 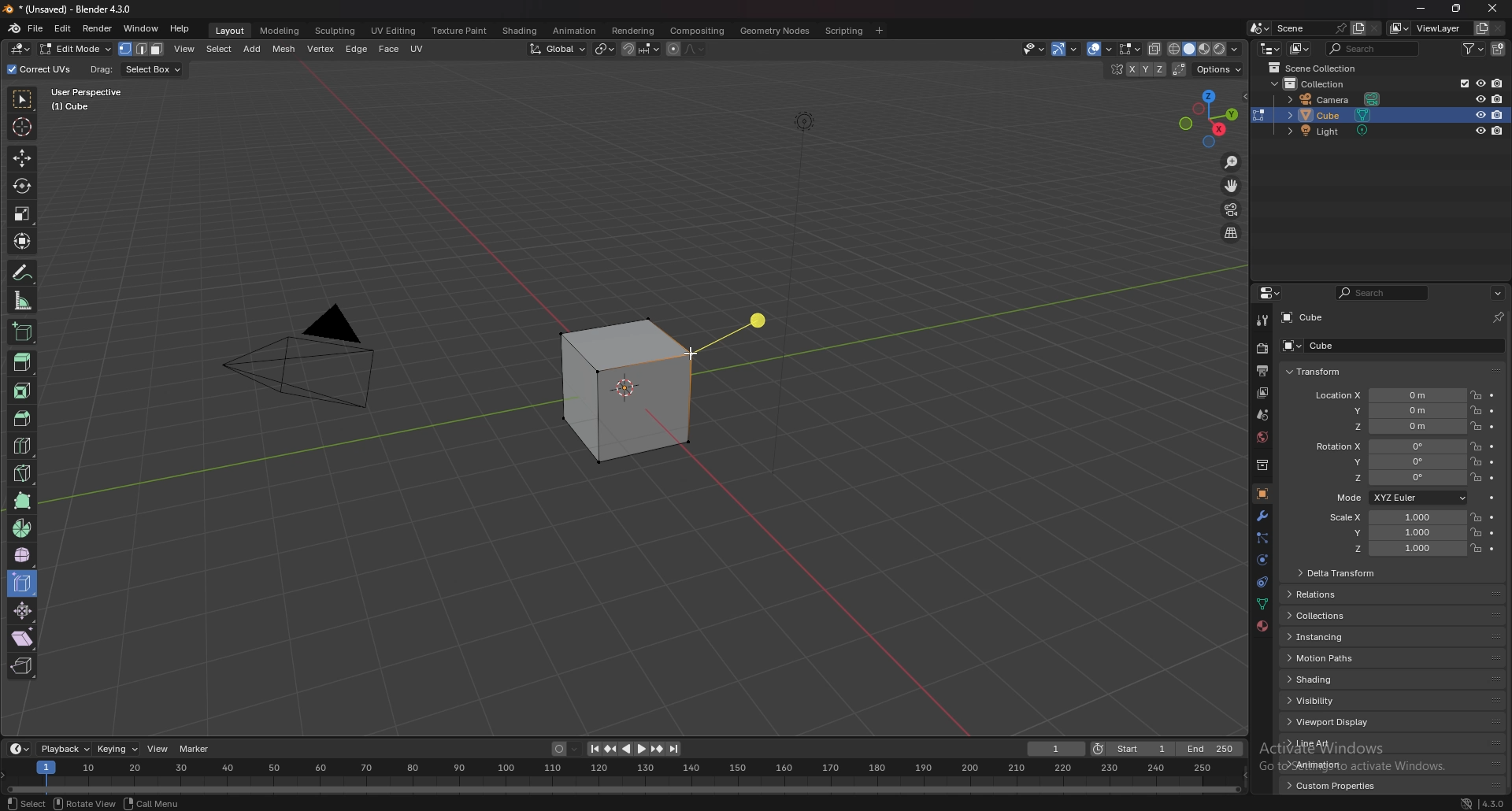 What do you see at coordinates (1155, 49) in the screenshot?
I see `toggle xray` at bounding box center [1155, 49].